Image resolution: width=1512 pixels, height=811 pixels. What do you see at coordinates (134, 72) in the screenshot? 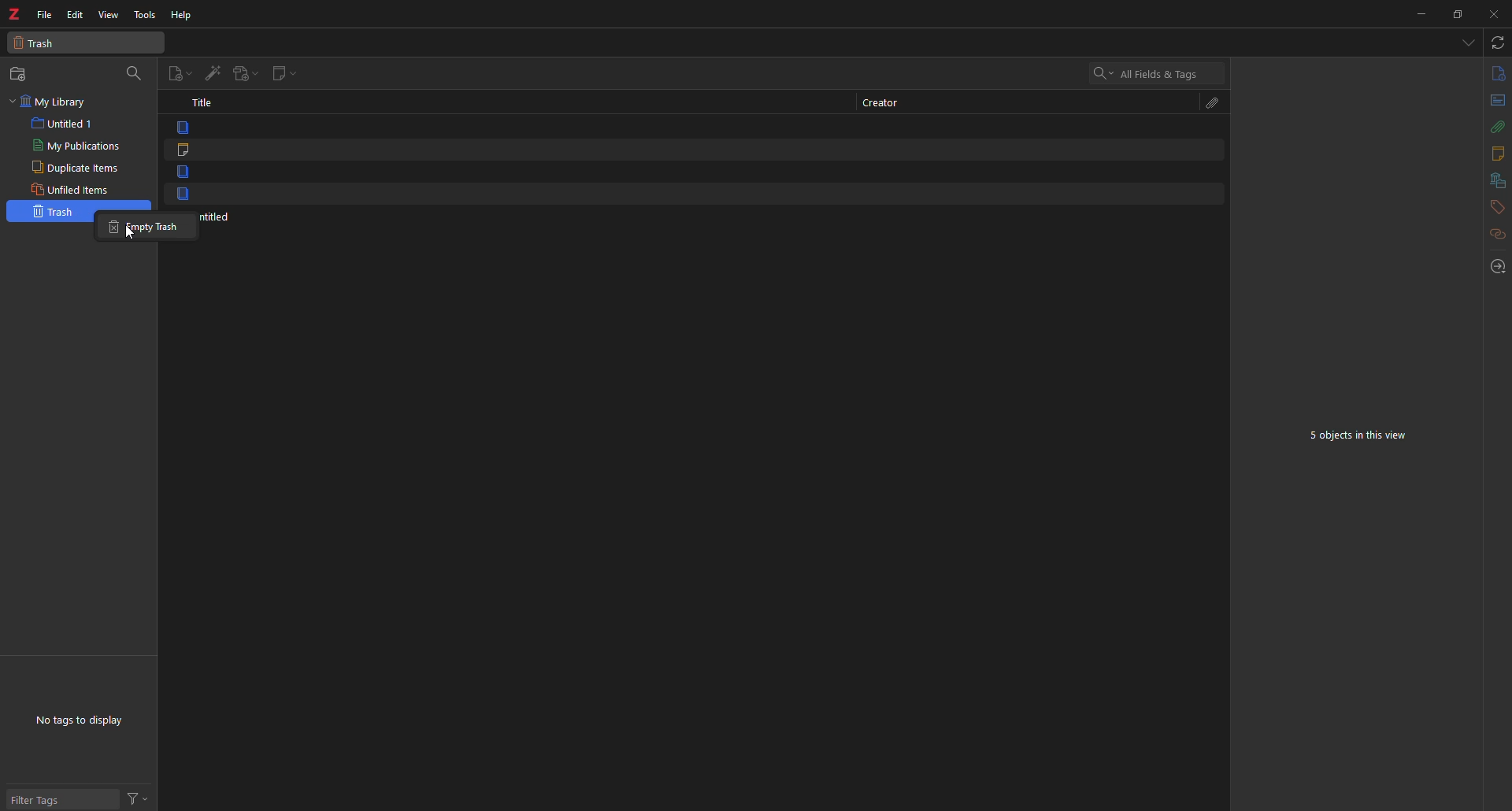
I see `search` at bounding box center [134, 72].